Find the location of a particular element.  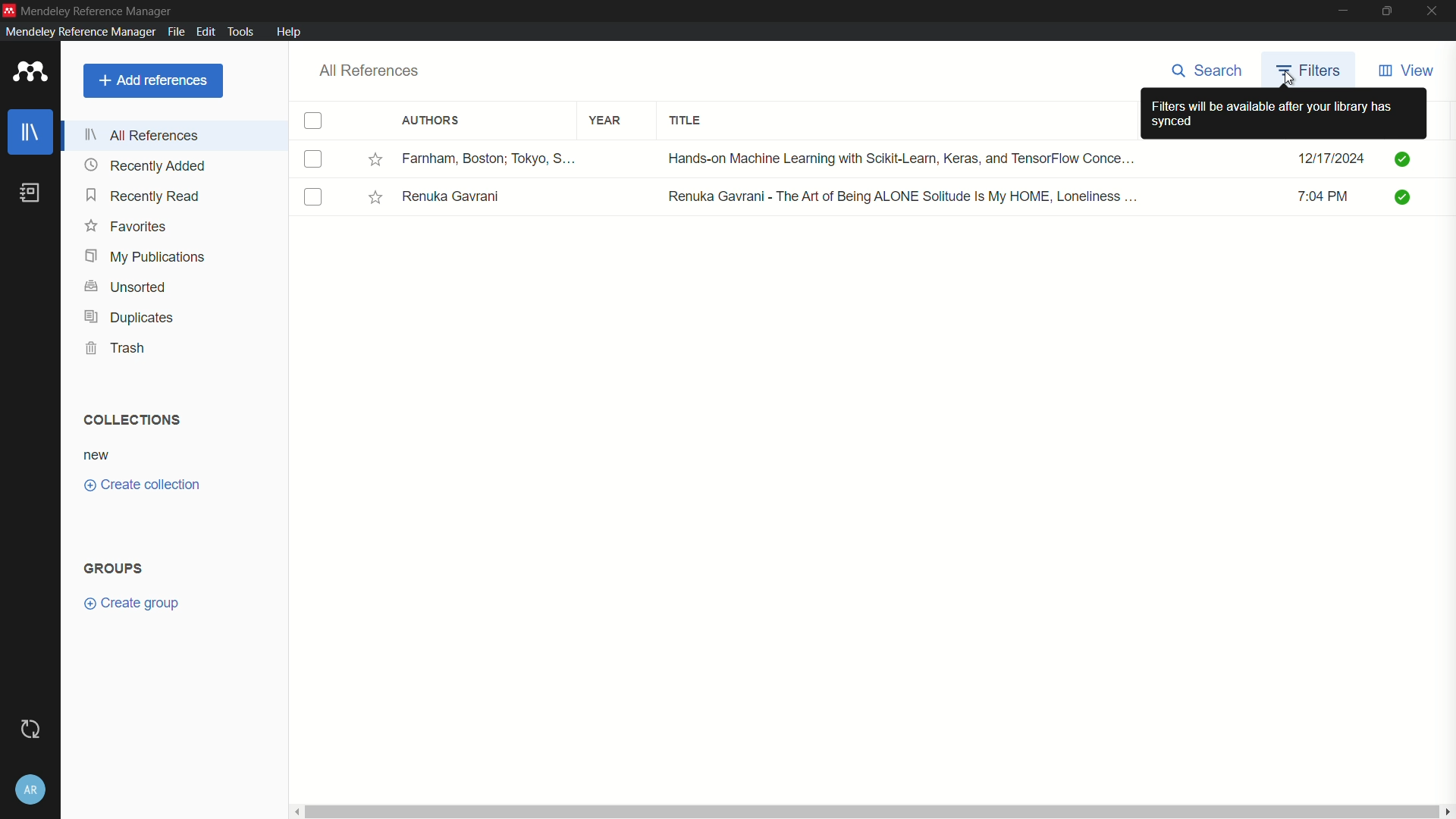

check box is located at coordinates (314, 197).